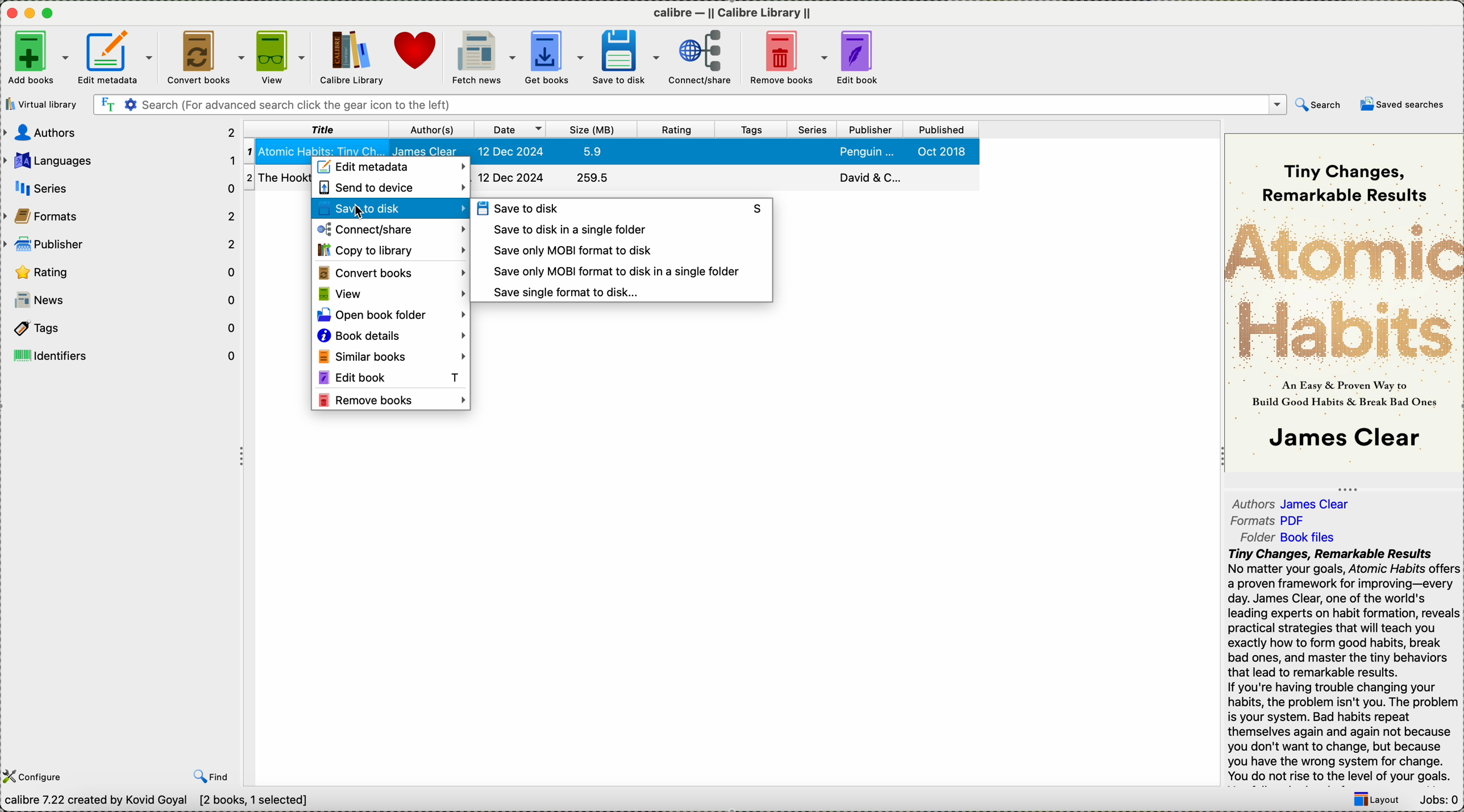 The image size is (1464, 812). I want to click on series, so click(810, 129).